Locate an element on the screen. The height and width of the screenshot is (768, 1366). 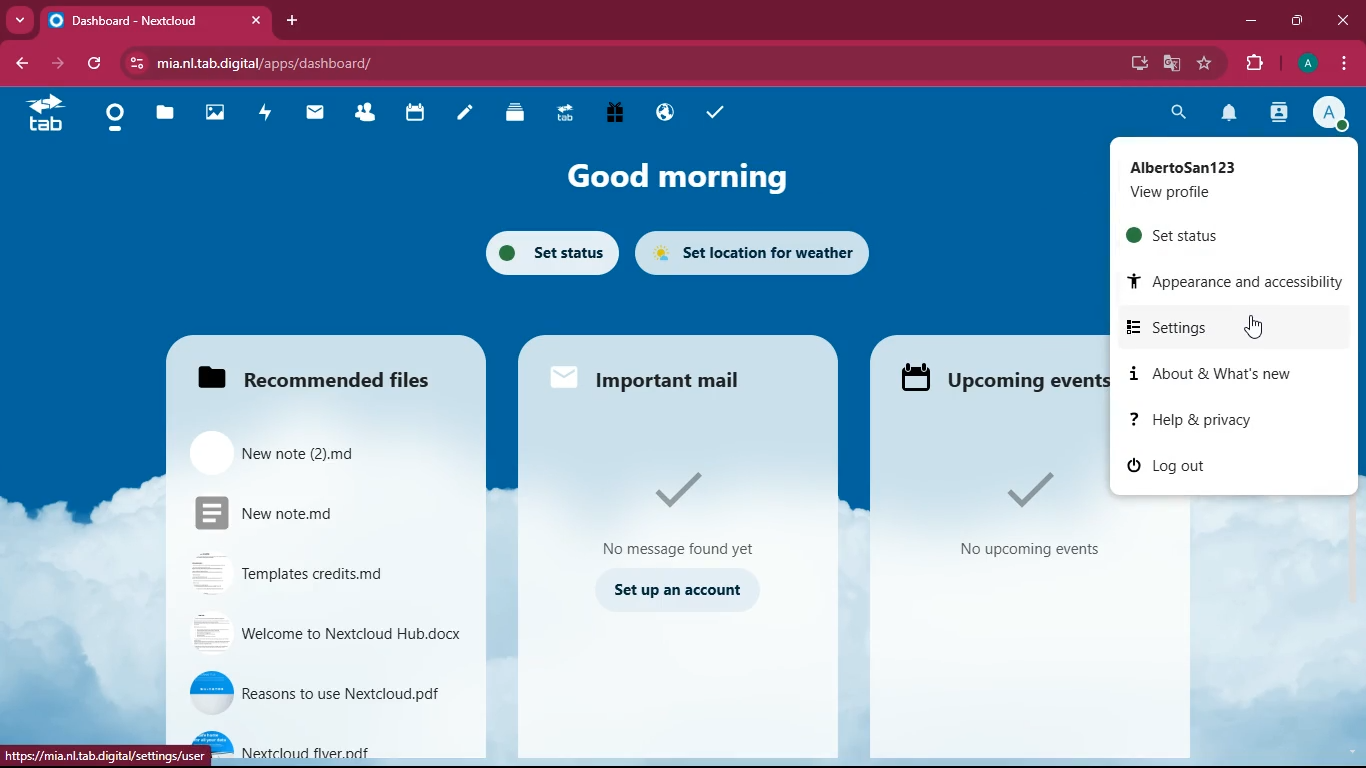
Accpunt is located at coordinates (1306, 64).